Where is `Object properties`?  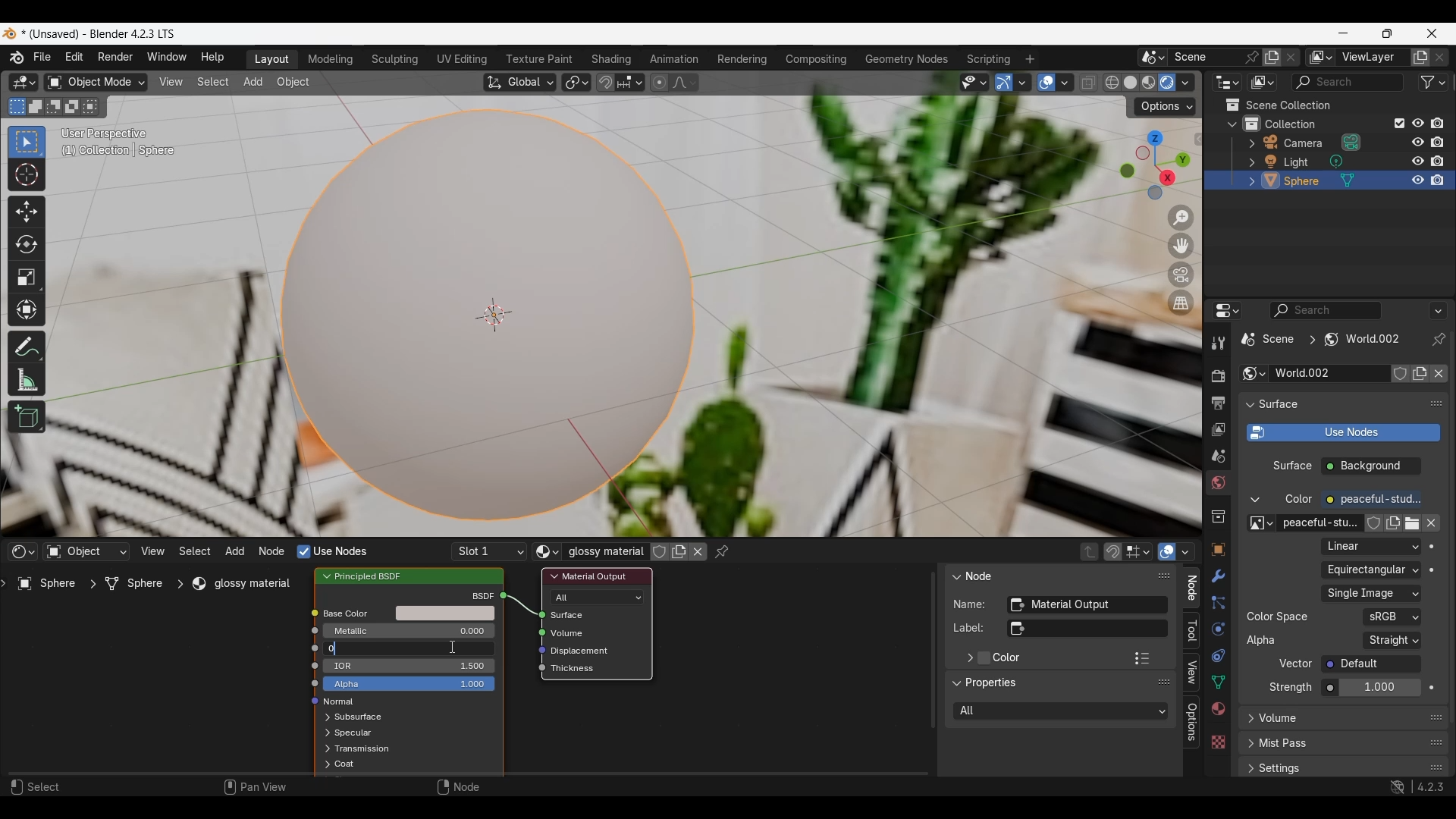
Object properties is located at coordinates (1217, 550).